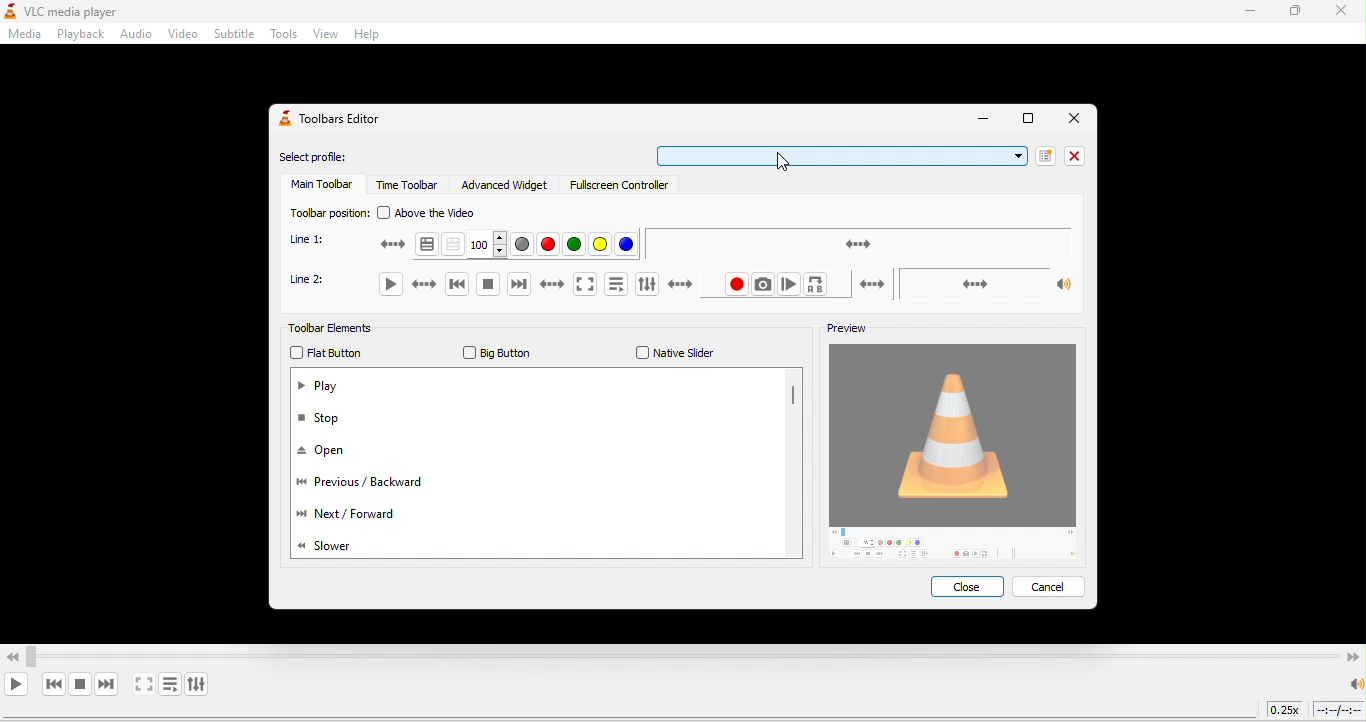 This screenshot has height=722, width=1366. What do you see at coordinates (550, 245) in the screenshot?
I see `red` at bounding box center [550, 245].